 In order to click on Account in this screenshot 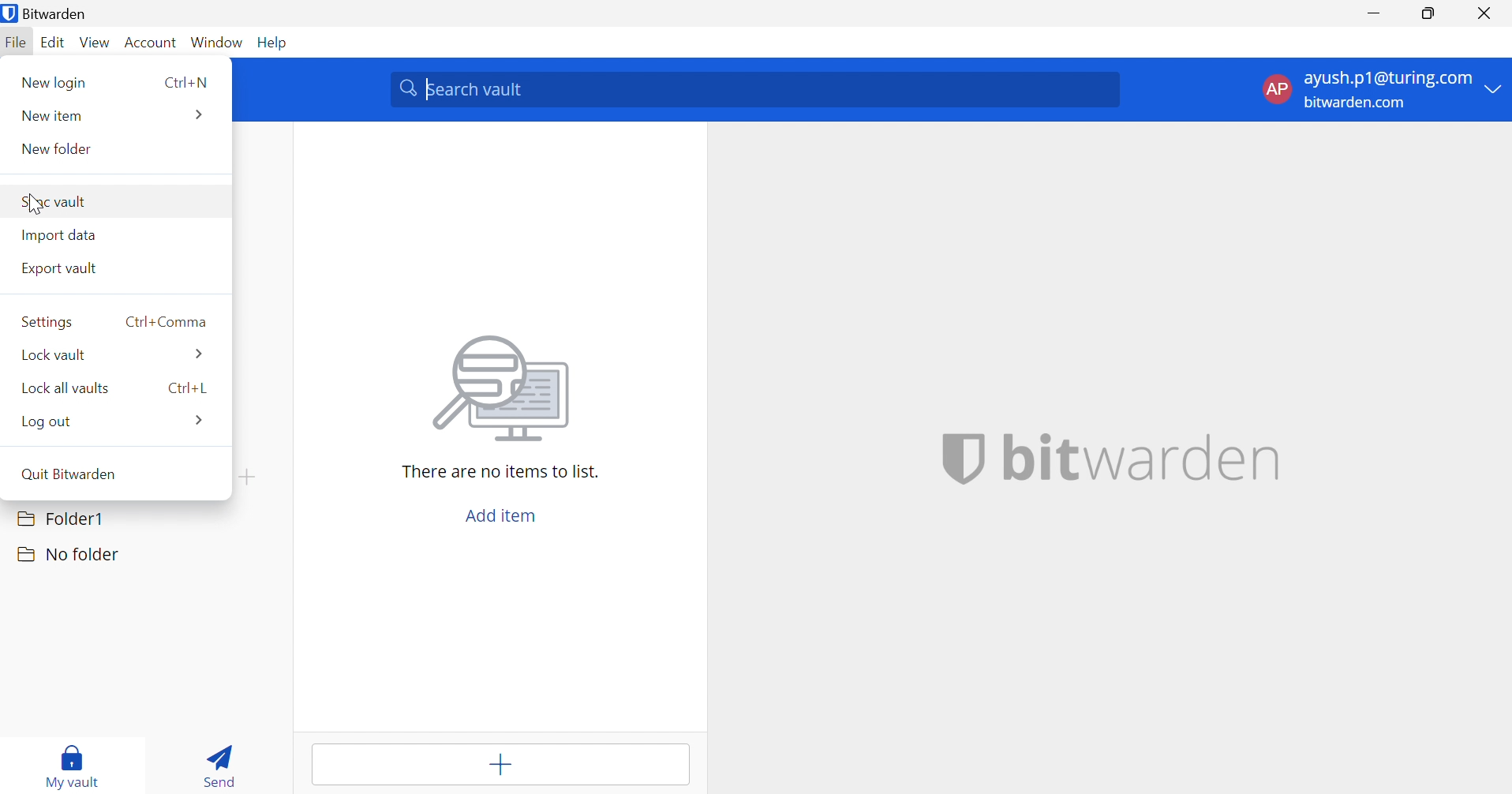, I will do `click(151, 43)`.